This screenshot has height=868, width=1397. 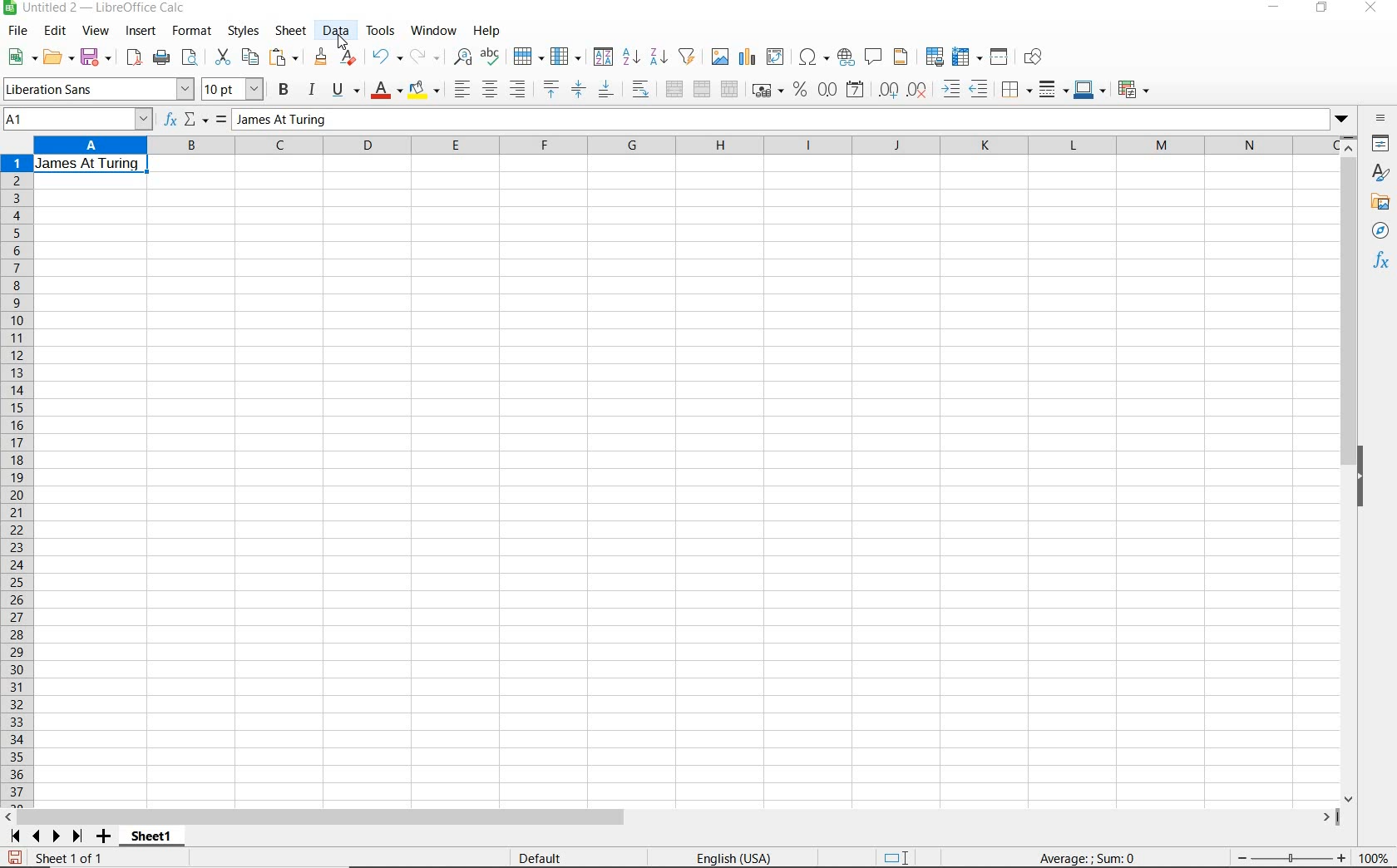 I want to click on sheet 1 of 1, so click(x=68, y=857).